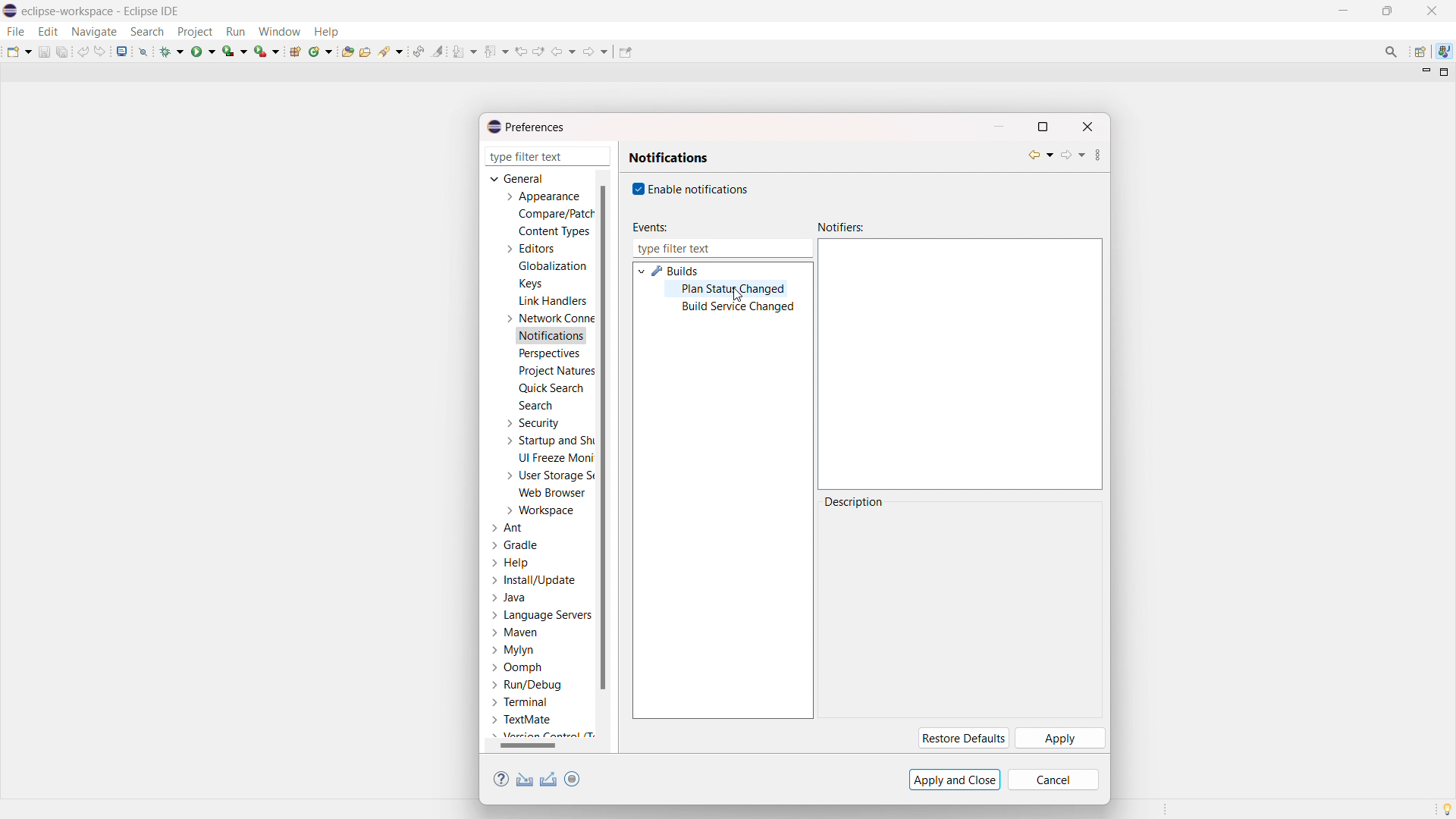  What do you see at coordinates (1447, 808) in the screenshot?
I see `tip of the day` at bounding box center [1447, 808].